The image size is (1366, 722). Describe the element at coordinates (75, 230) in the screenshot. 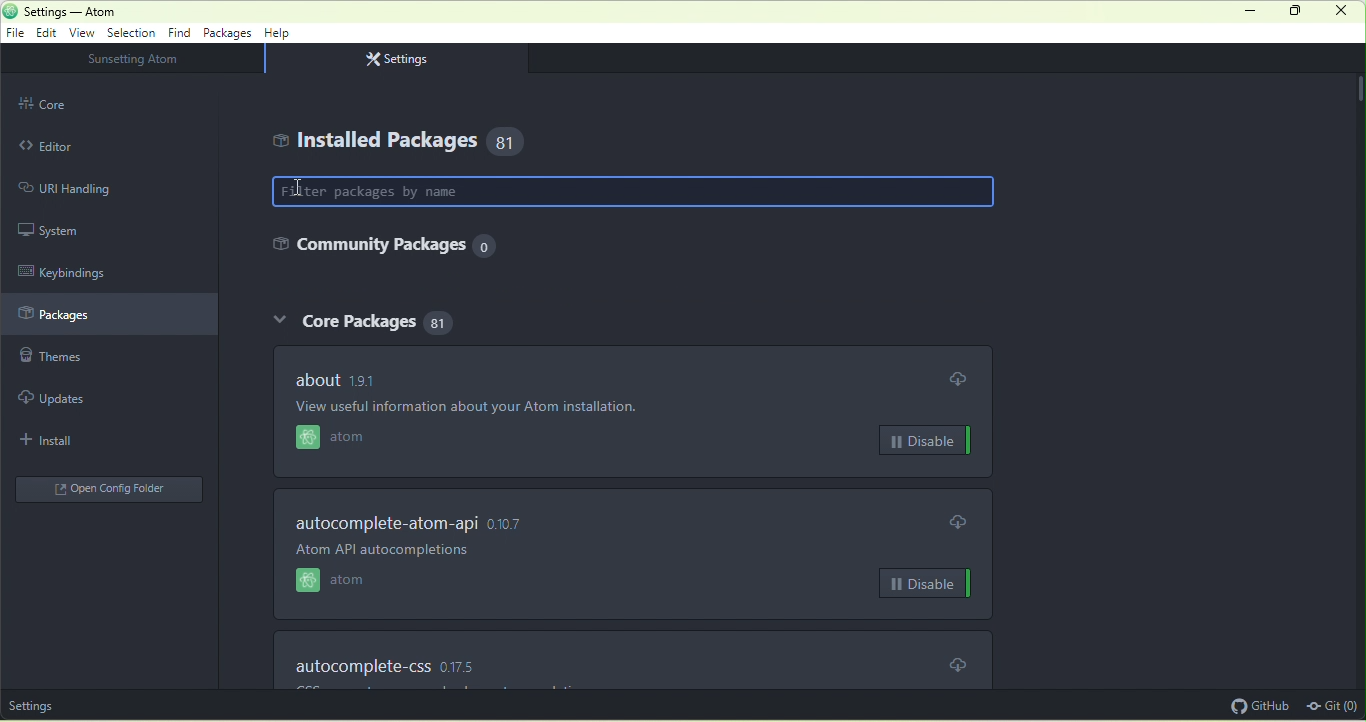

I see `system` at that location.